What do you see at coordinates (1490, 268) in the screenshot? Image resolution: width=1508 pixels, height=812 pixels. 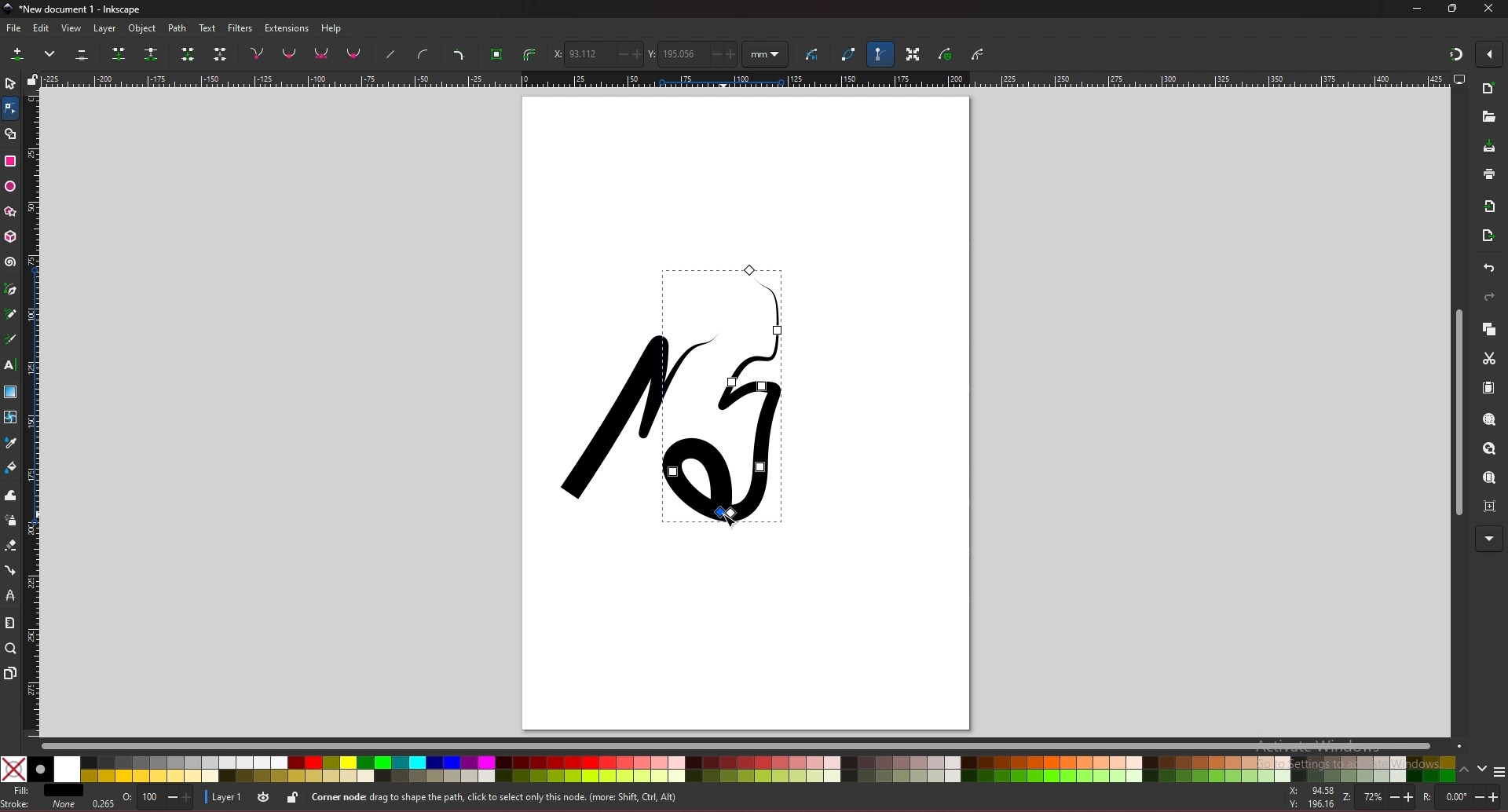 I see `undo` at bounding box center [1490, 268].